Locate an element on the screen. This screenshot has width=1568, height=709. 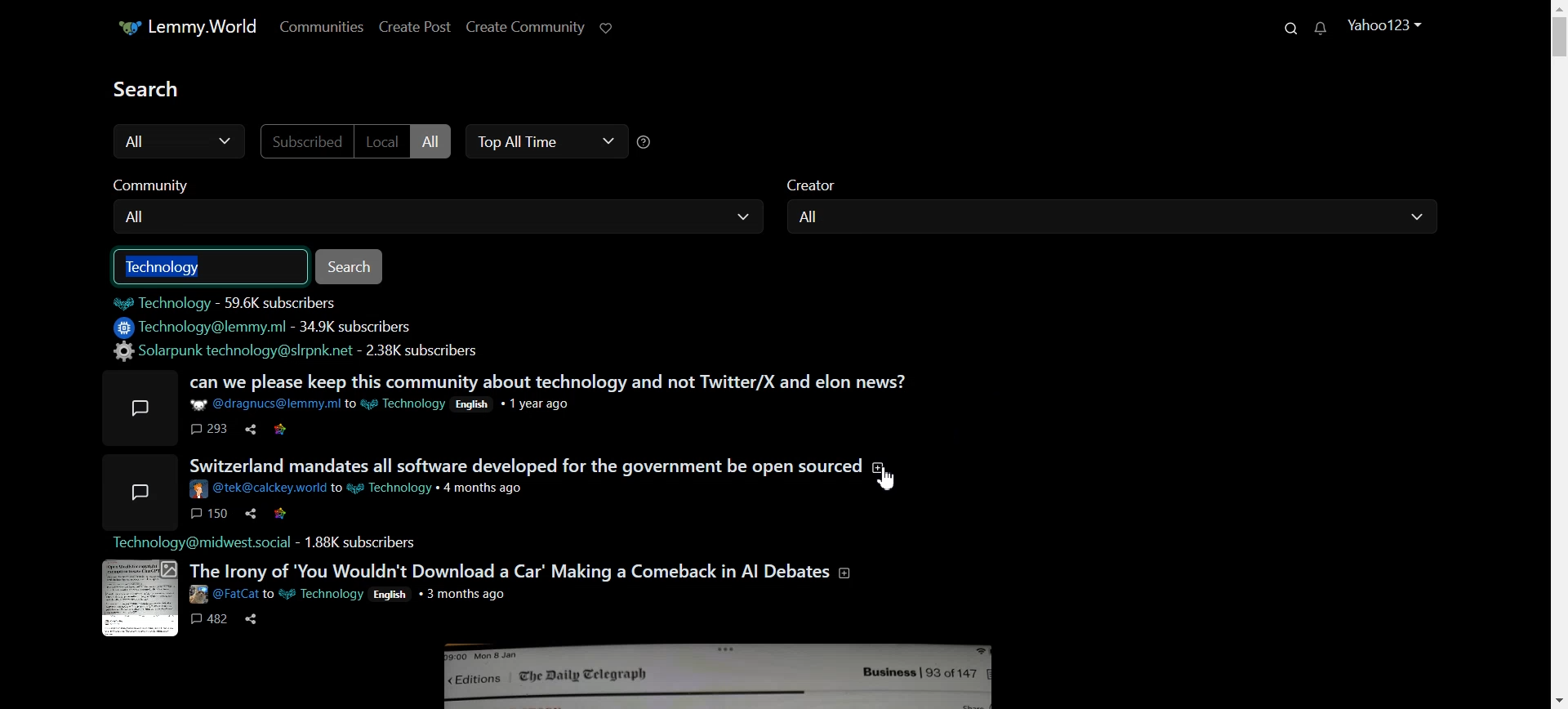
Unread Message is located at coordinates (1325, 30).